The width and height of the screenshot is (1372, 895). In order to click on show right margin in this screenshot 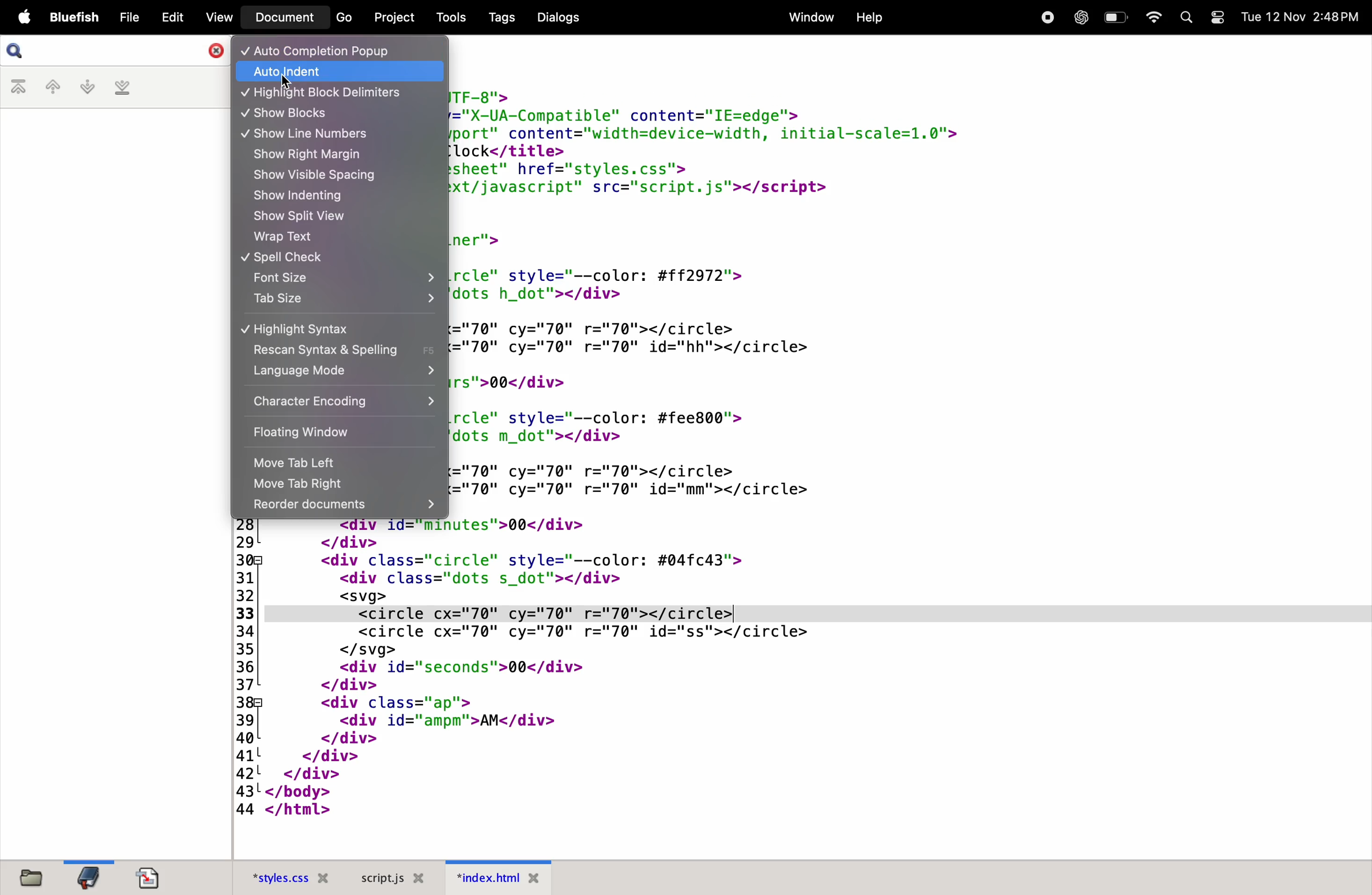, I will do `click(334, 157)`.